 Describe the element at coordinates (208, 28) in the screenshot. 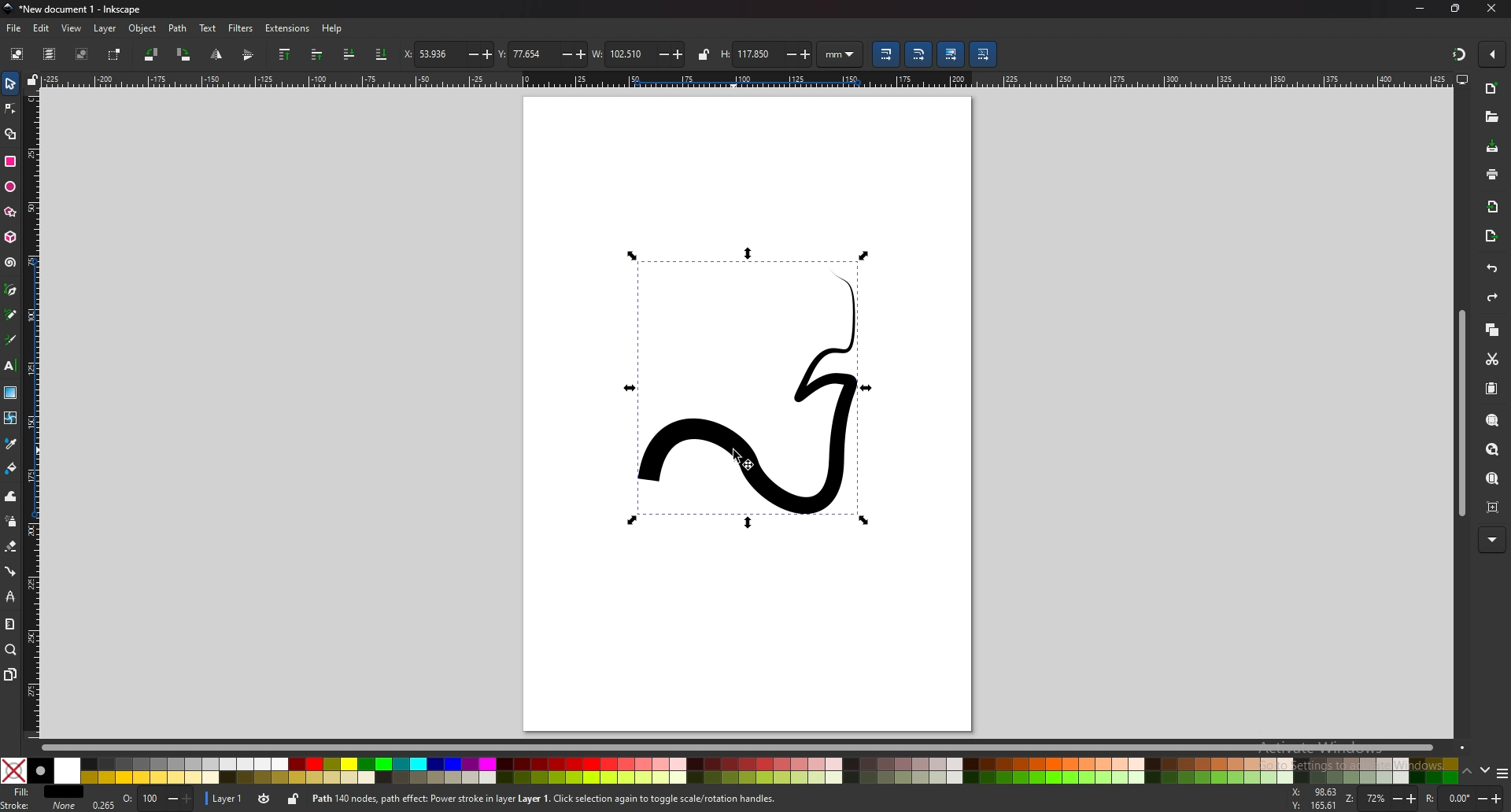

I see `text` at that location.